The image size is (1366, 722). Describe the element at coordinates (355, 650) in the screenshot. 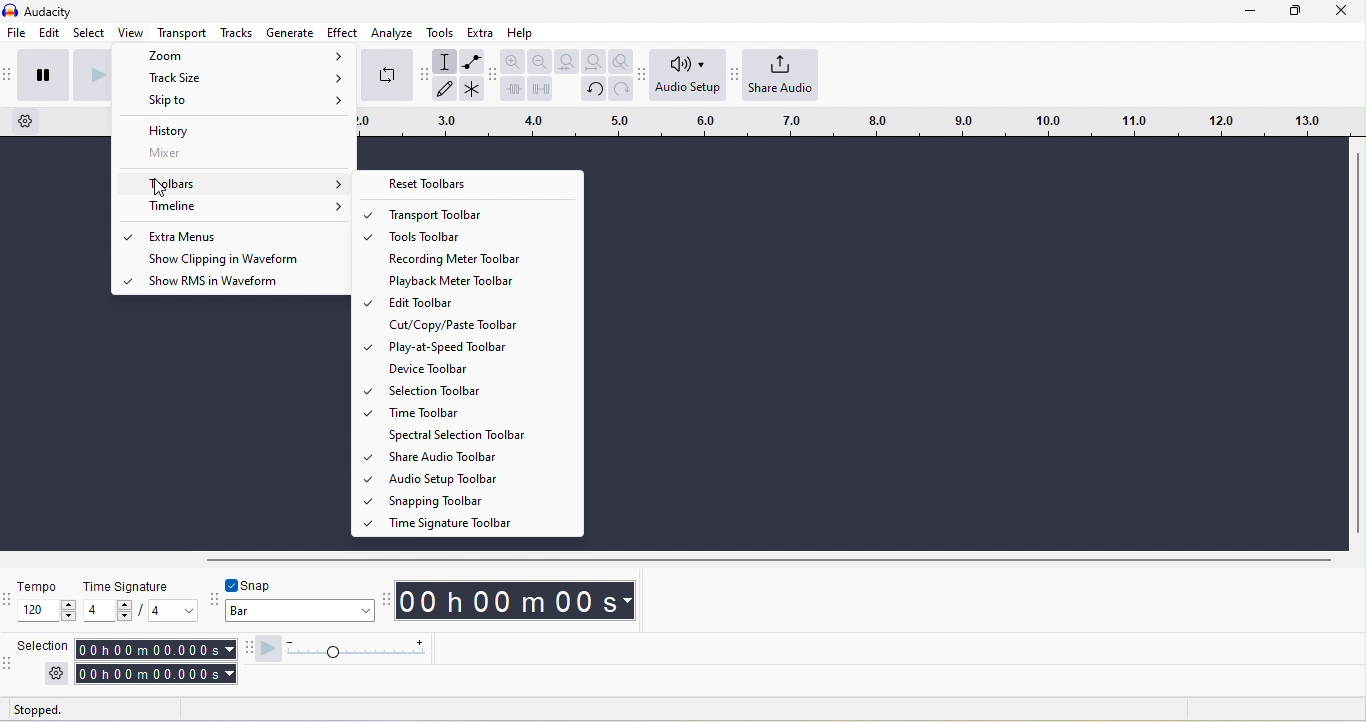

I see `playback speed` at that location.